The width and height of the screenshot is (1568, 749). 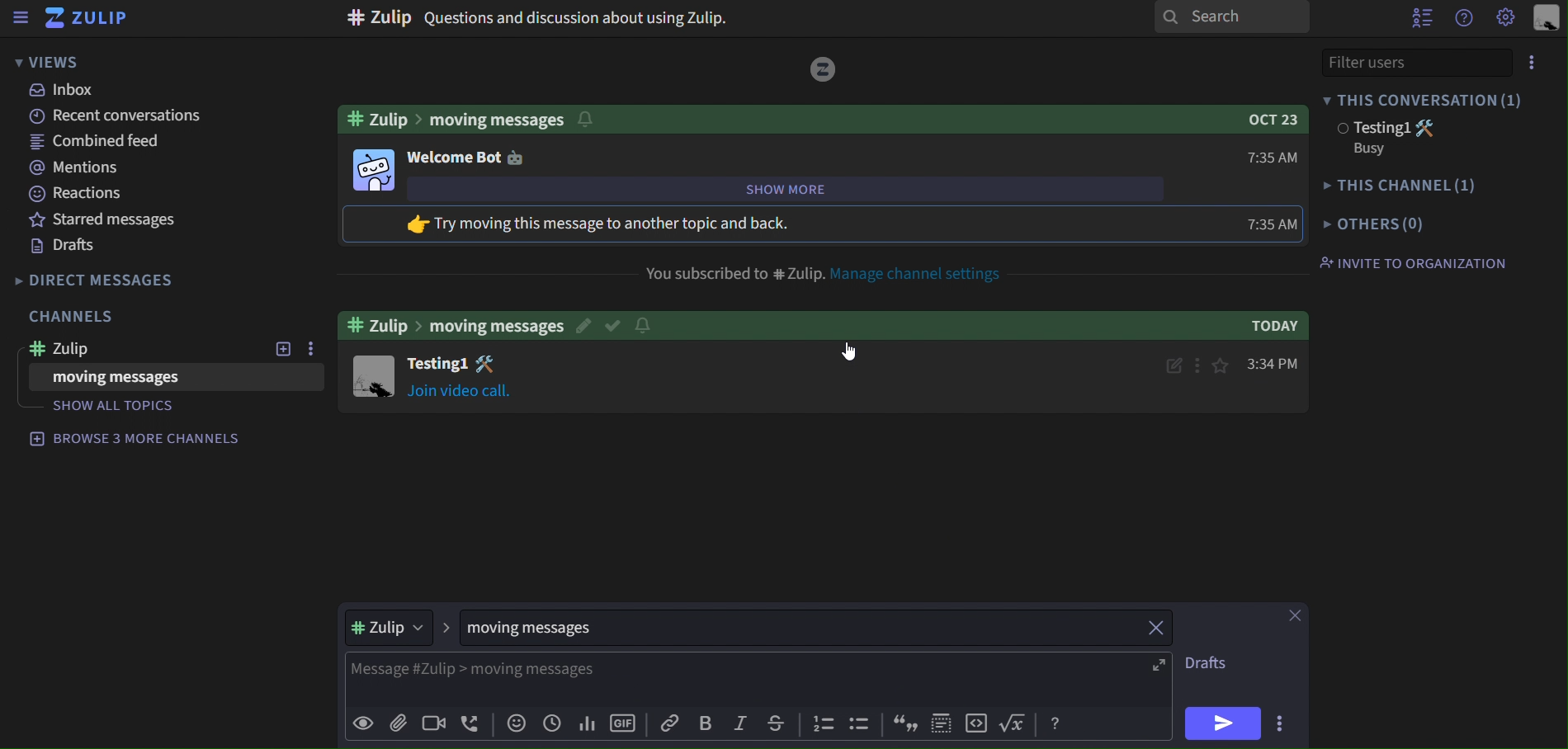 What do you see at coordinates (906, 723) in the screenshot?
I see `icon` at bounding box center [906, 723].